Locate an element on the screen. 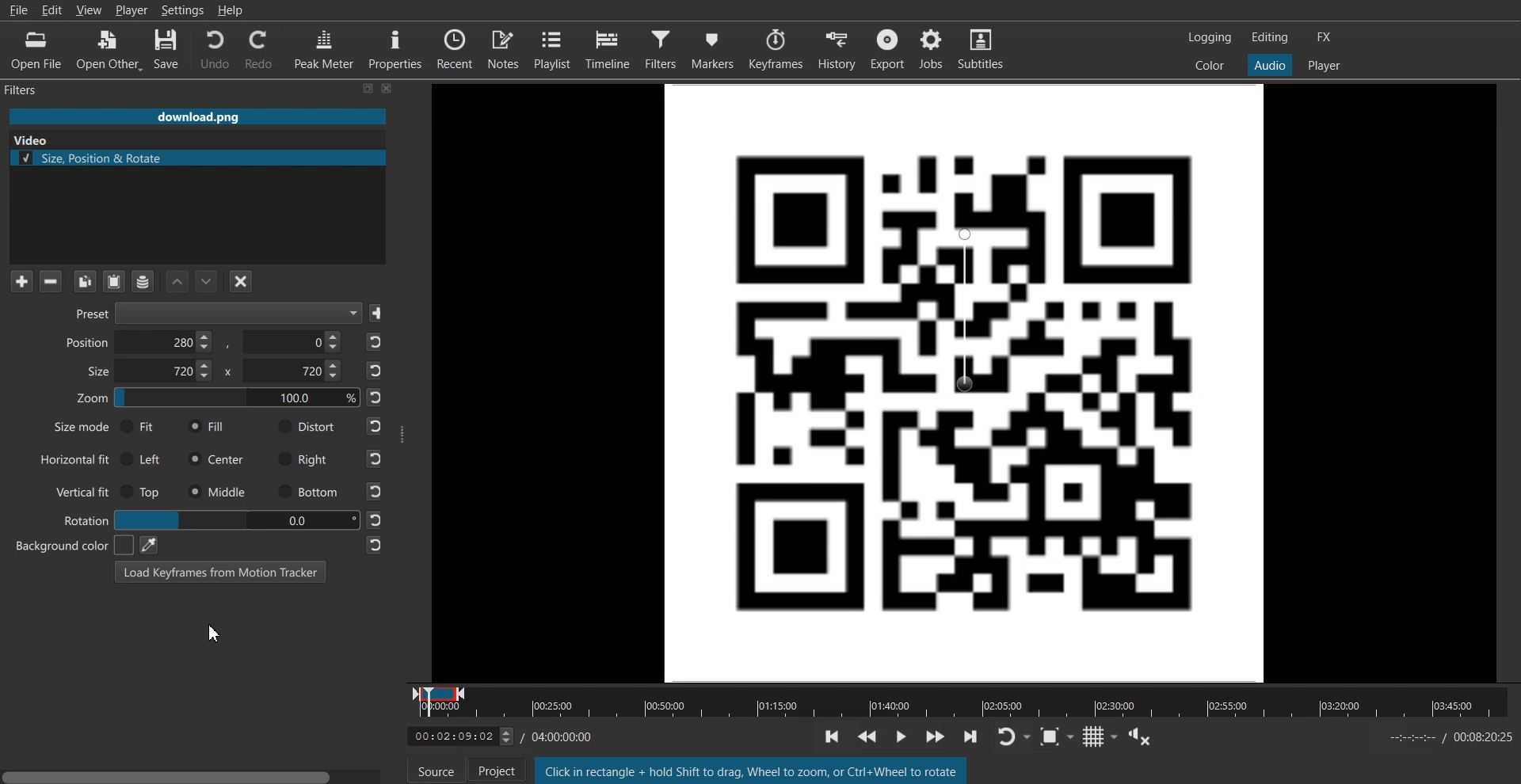  Move Filter Down is located at coordinates (207, 281).